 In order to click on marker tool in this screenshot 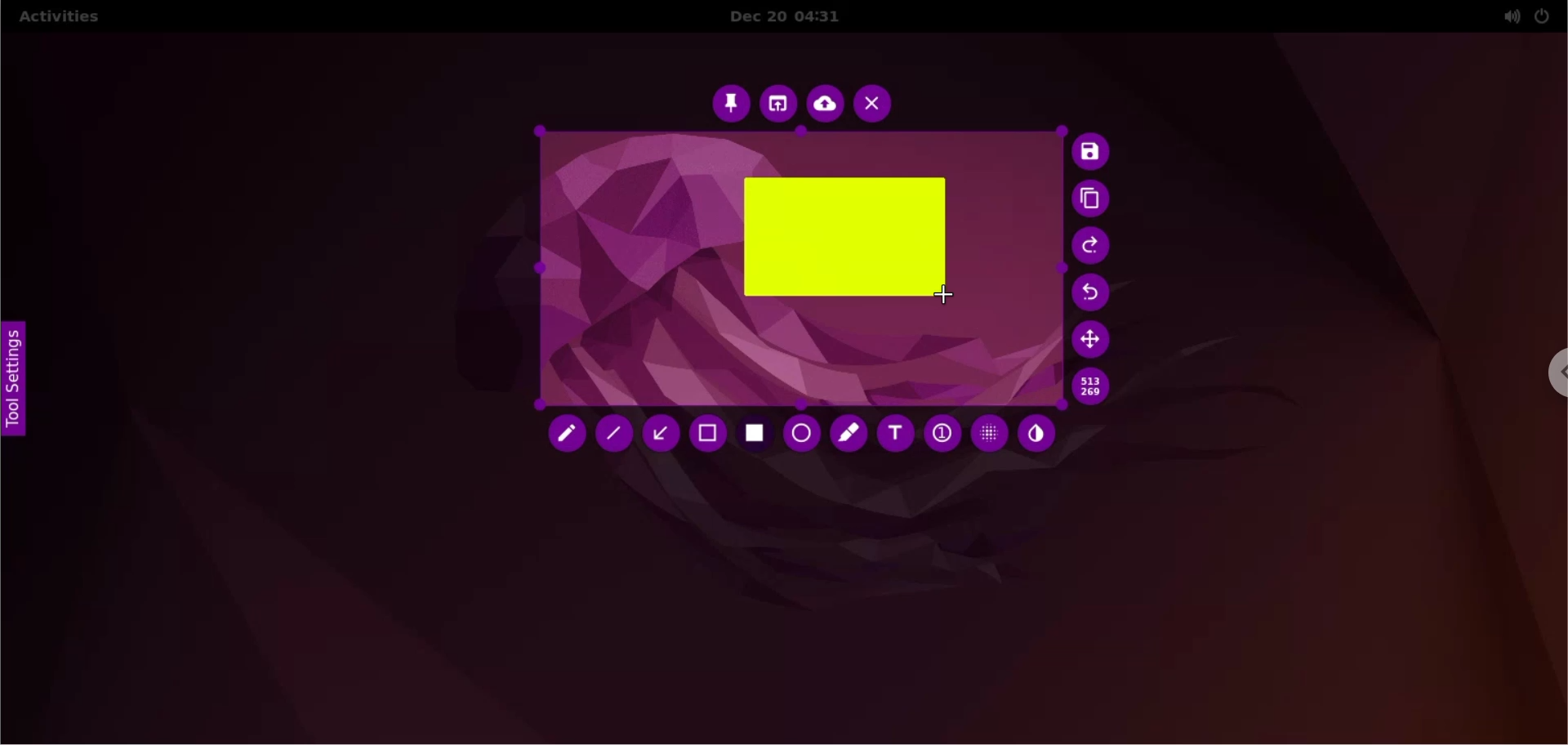, I will do `click(849, 436)`.